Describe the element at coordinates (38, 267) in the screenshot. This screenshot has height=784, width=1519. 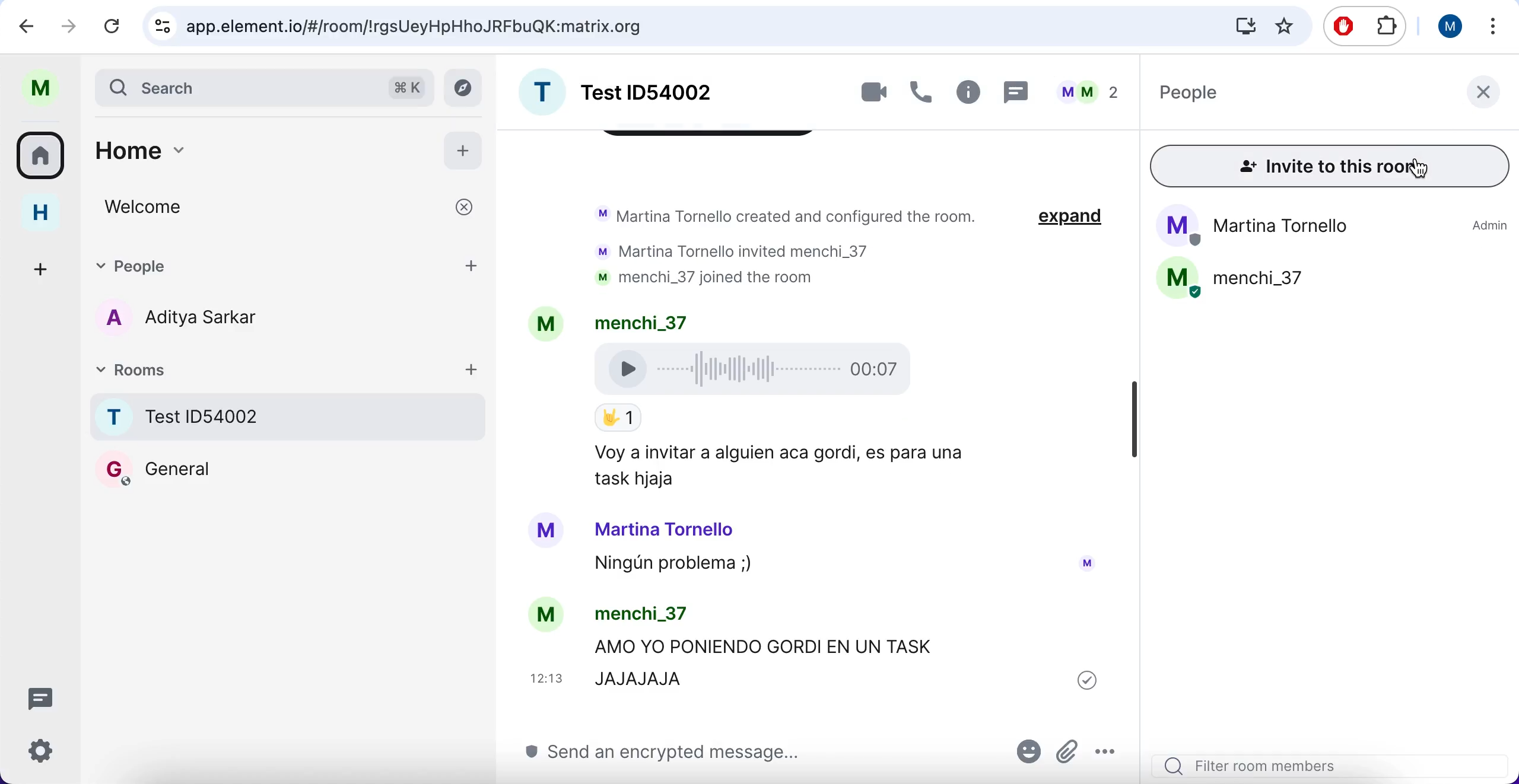
I see `add` at that location.